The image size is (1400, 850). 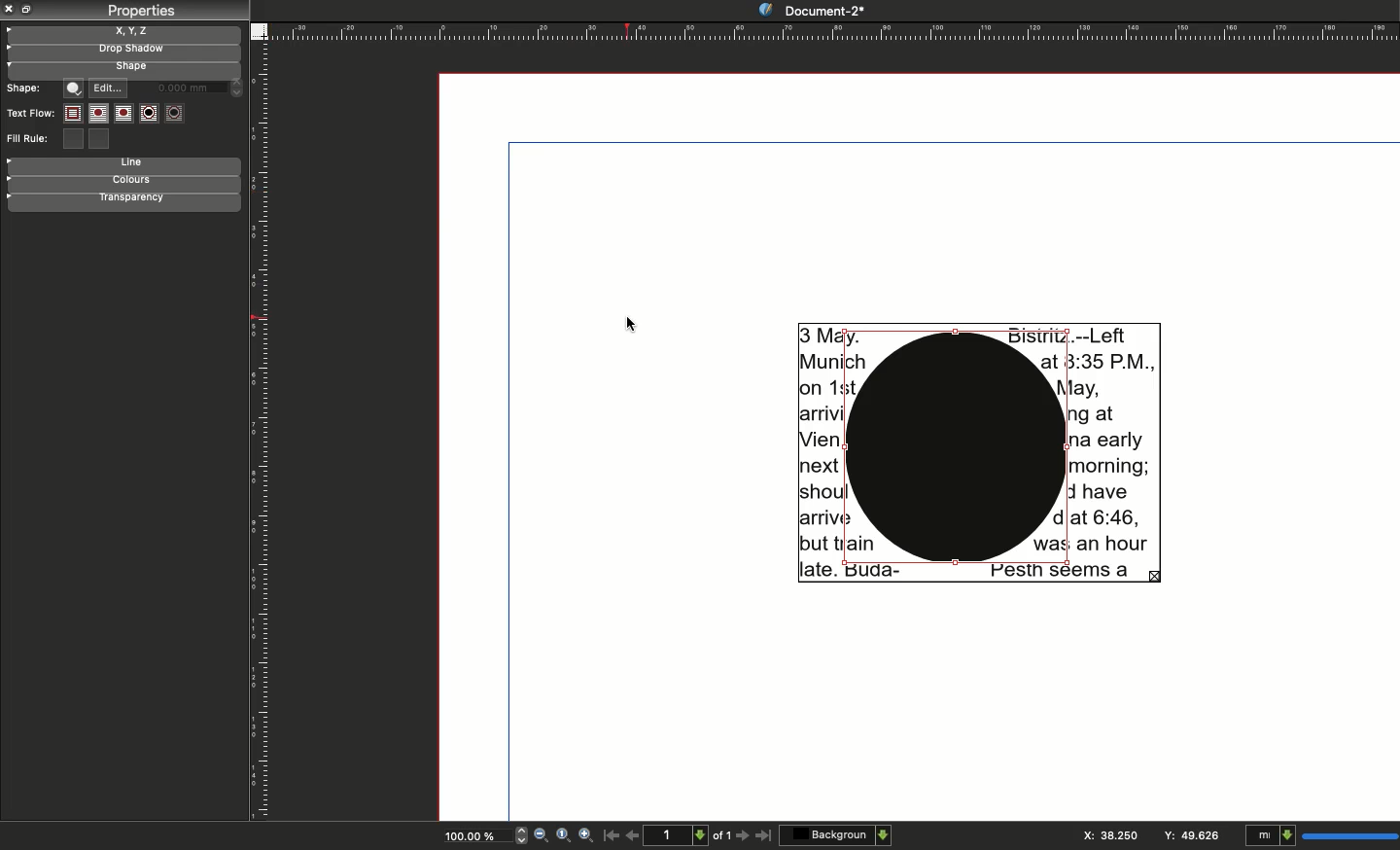 What do you see at coordinates (764, 838) in the screenshot?
I see `Last page` at bounding box center [764, 838].